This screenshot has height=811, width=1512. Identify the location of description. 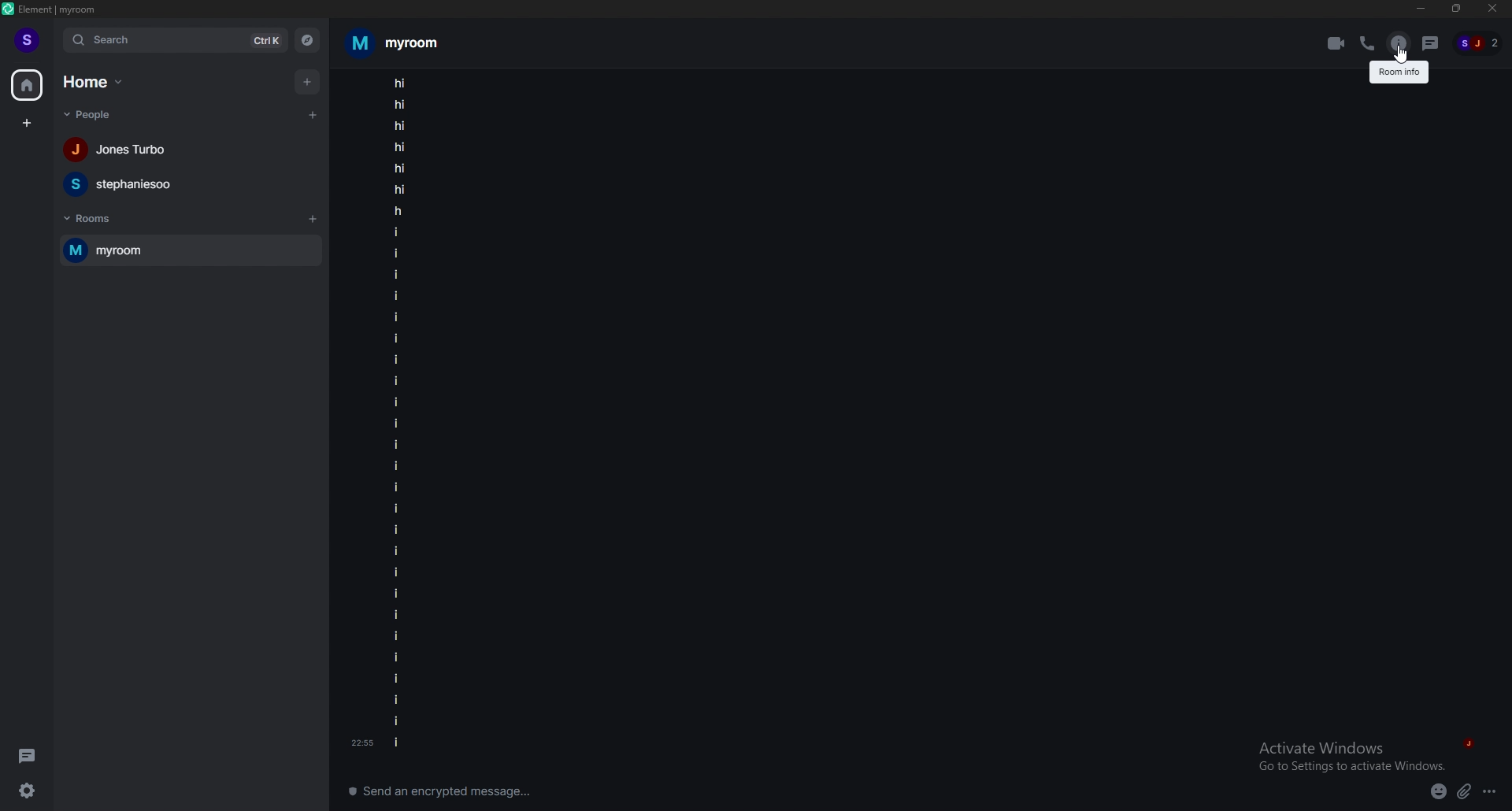
(1400, 72).